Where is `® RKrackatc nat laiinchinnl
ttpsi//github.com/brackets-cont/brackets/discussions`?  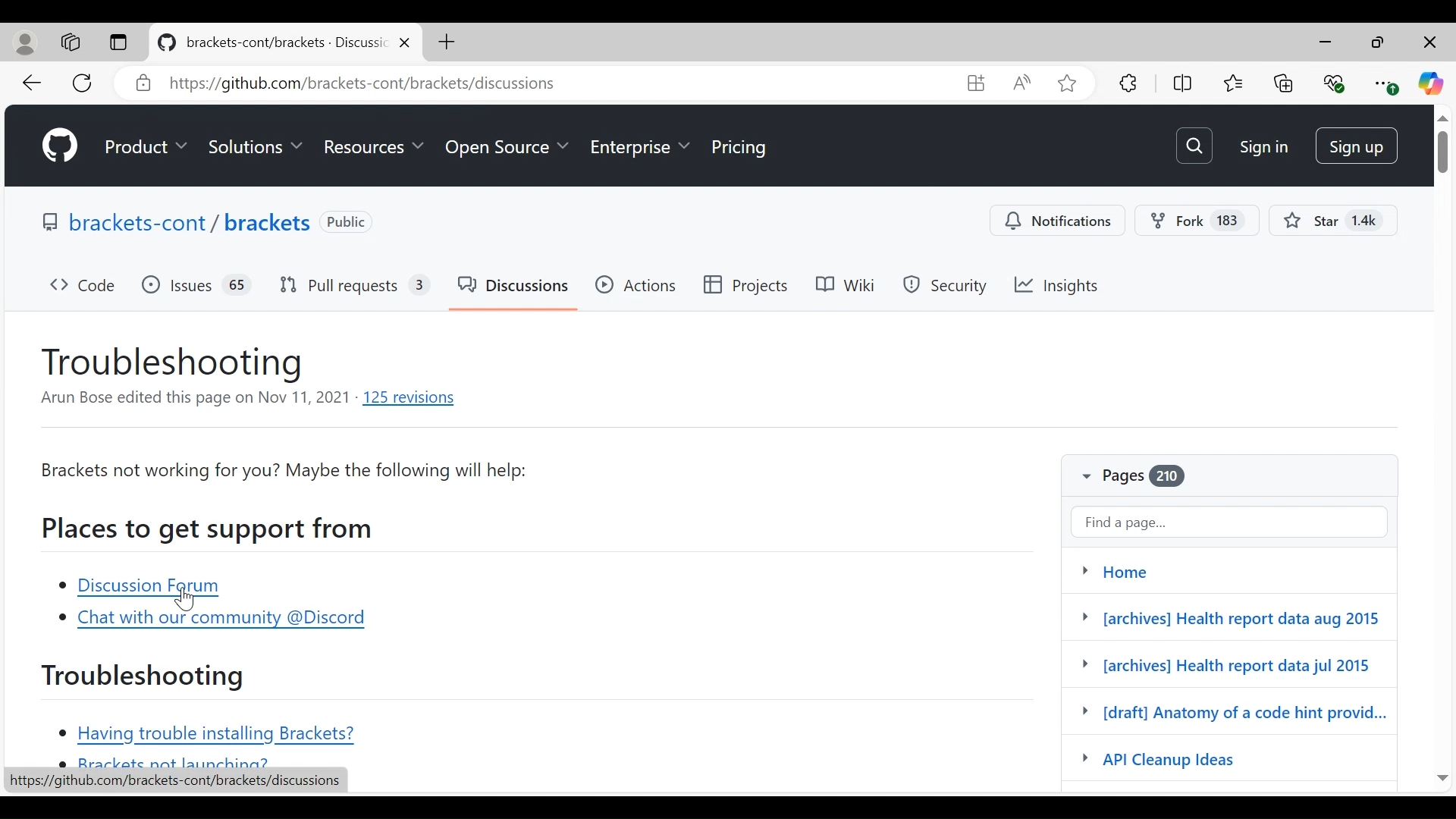 ® RKrackatc nat laiinchinnl
ttpsi//github.com/brackets-cont/brackets/discussions is located at coordinates (174, 782).